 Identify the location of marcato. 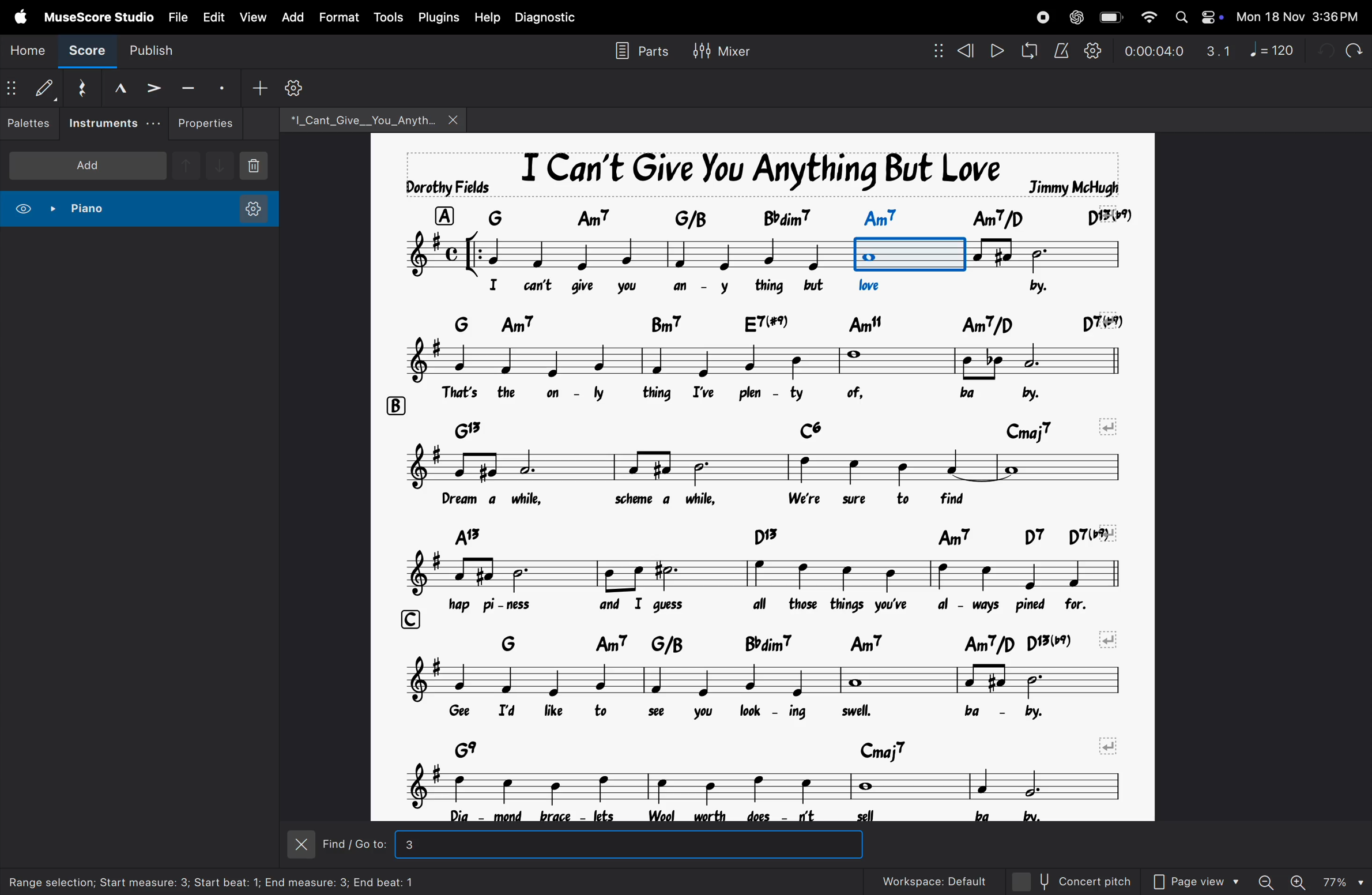
(120, 89).